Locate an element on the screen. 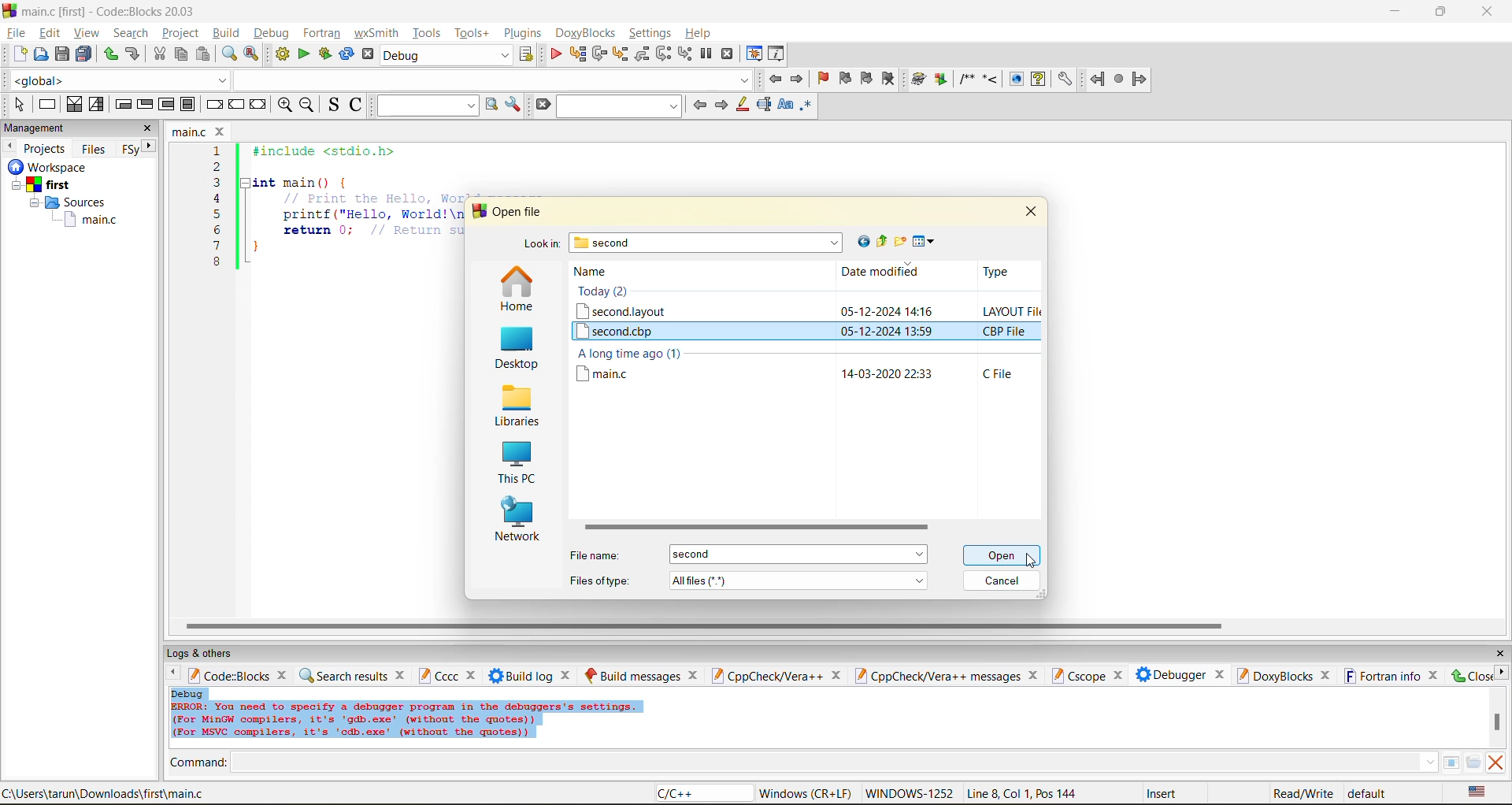  language is located at coordinates (702, 794).